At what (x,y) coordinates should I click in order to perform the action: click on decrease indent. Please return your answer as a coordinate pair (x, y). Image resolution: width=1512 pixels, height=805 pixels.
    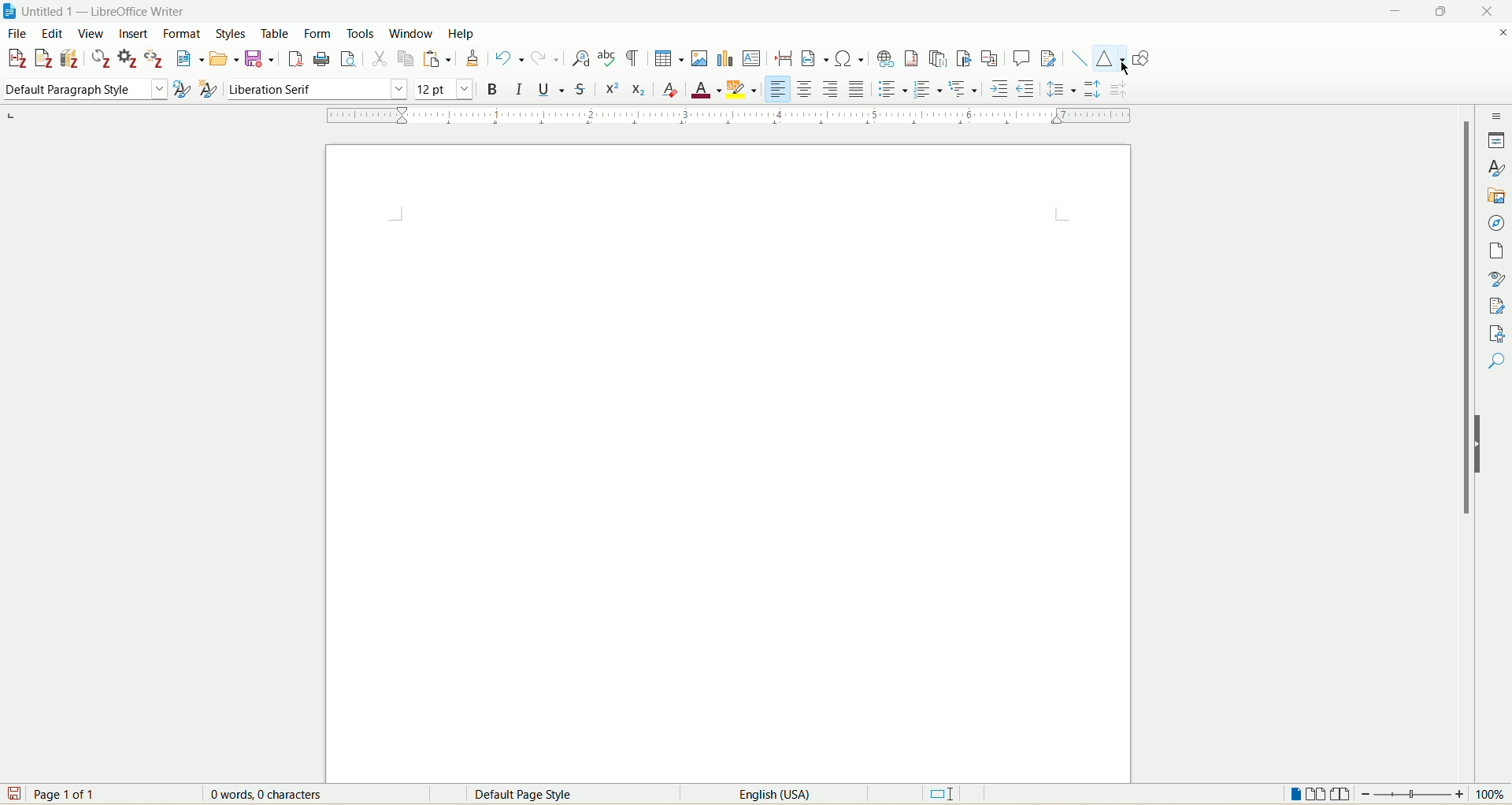
    Looking at the image, I should click on (1026, 88).